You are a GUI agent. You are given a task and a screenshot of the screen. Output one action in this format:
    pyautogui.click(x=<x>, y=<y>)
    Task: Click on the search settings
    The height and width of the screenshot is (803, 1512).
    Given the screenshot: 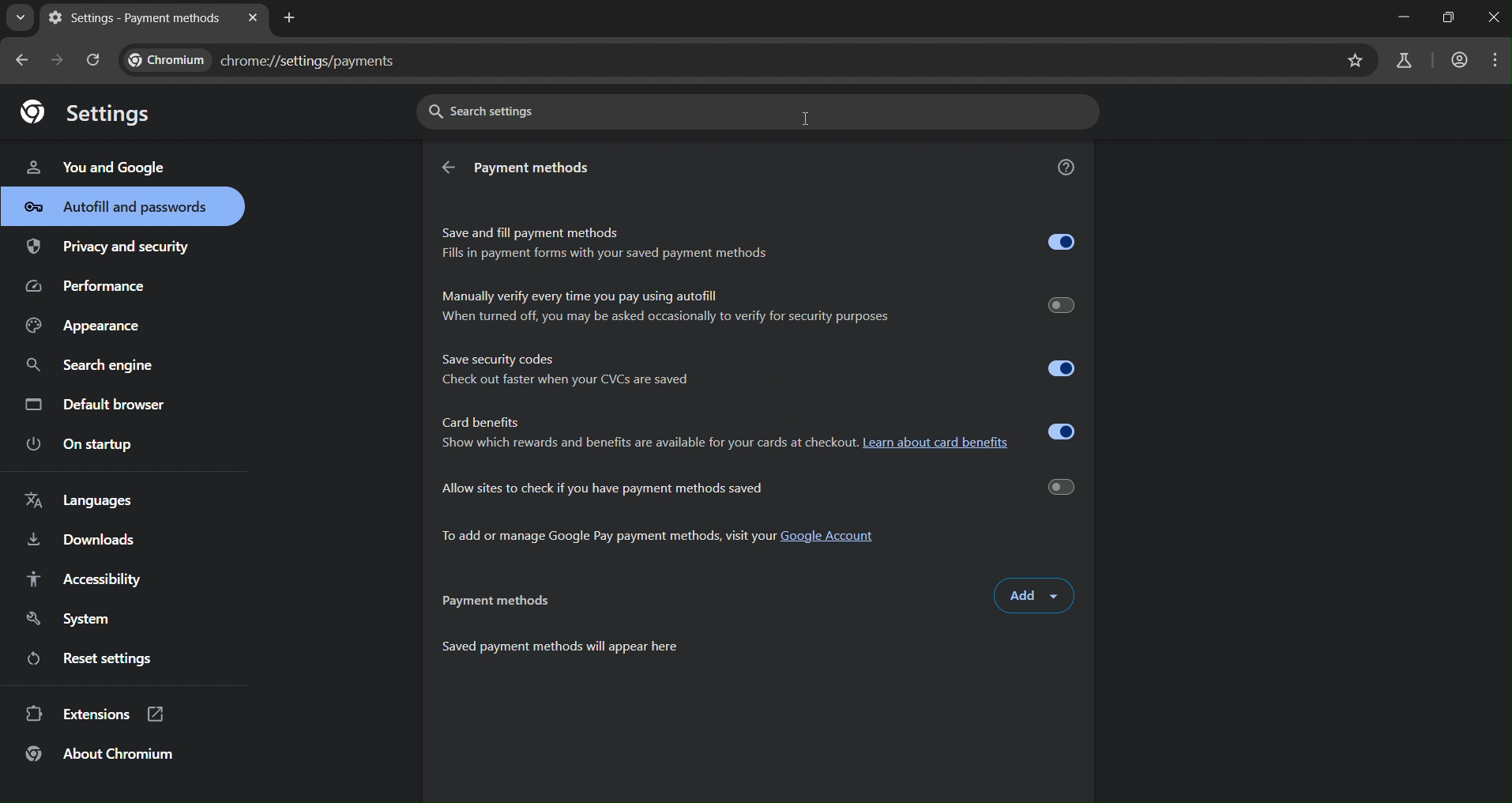 What is the action you would take?
    pyautogui.click(x=747, y=107)
    